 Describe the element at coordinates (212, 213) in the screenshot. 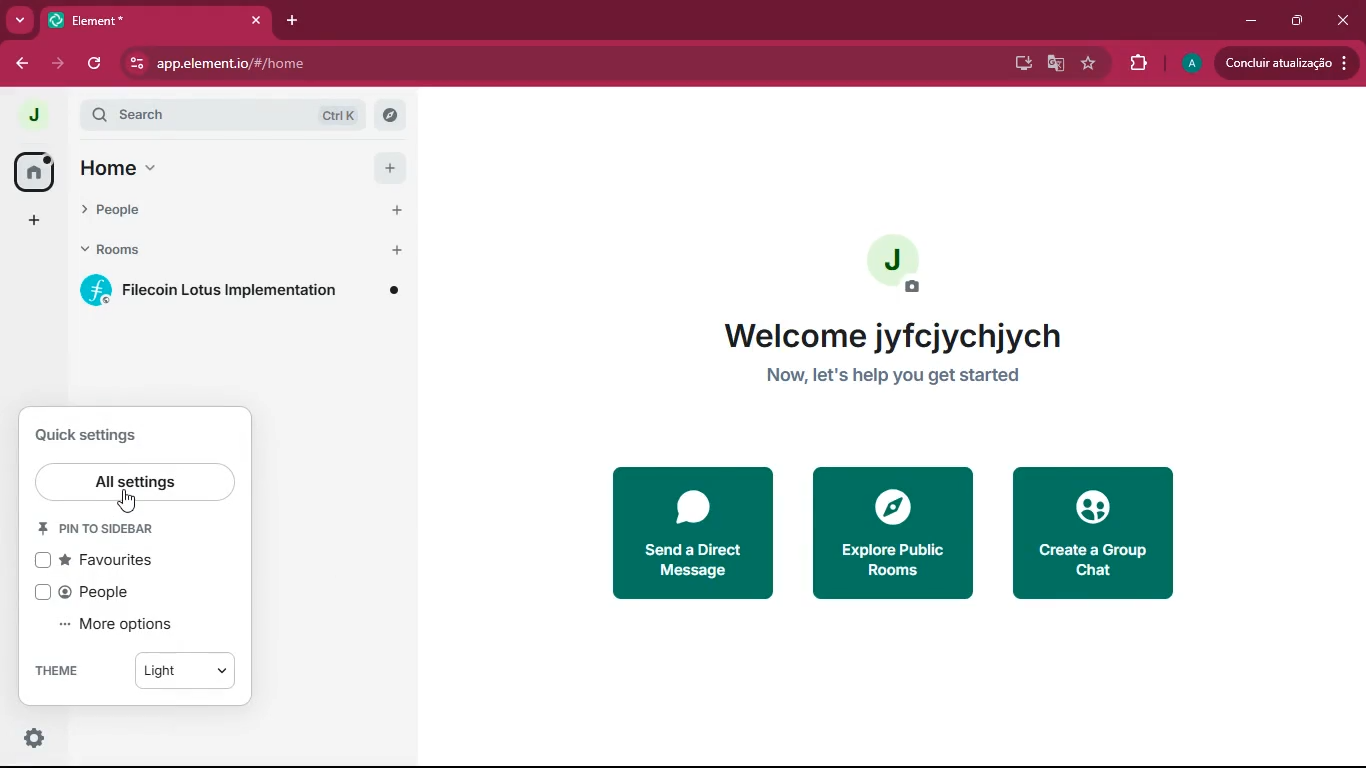

I see `people` at that location.